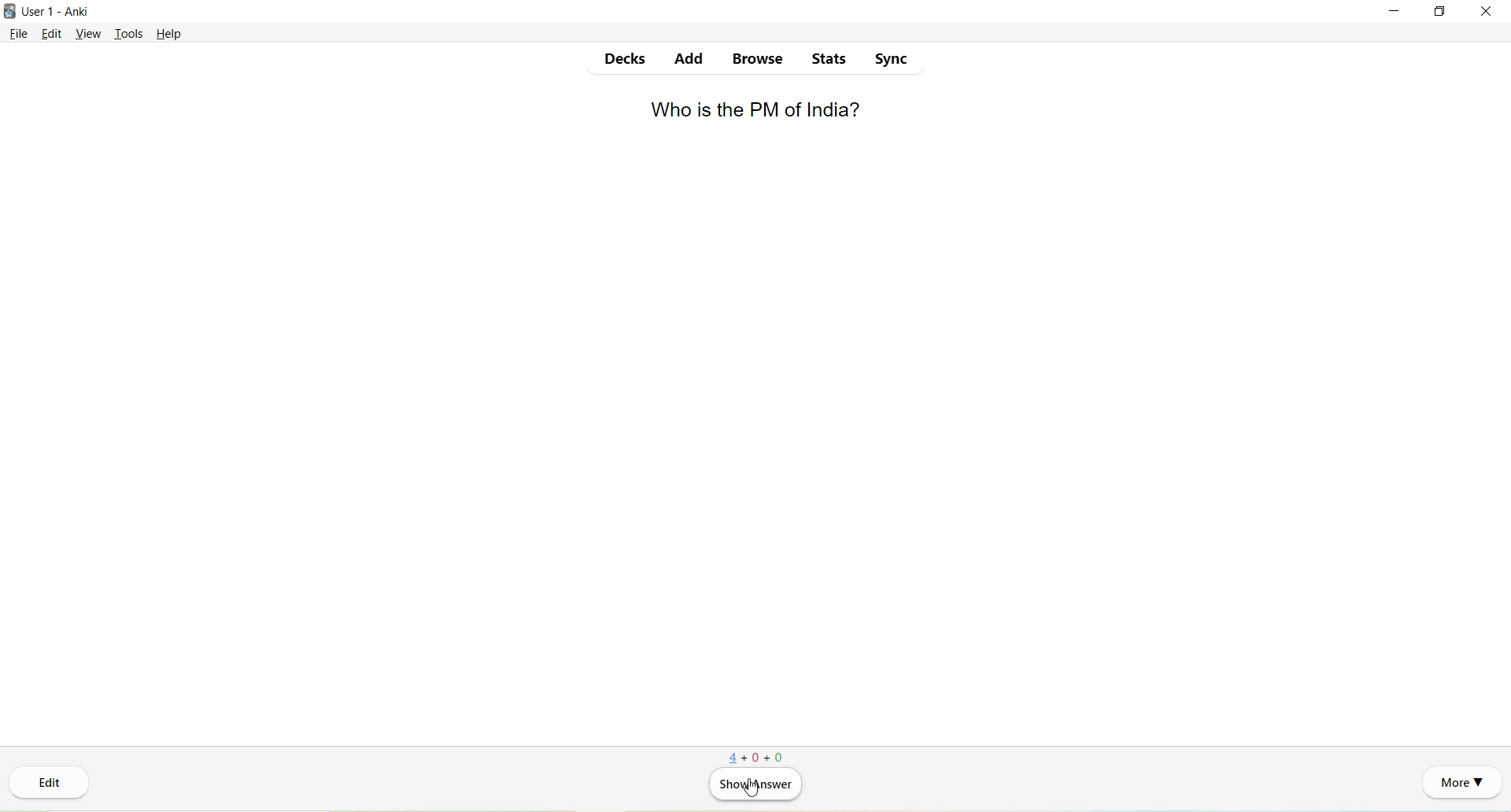  I want to click on More, so click(1461, 784).